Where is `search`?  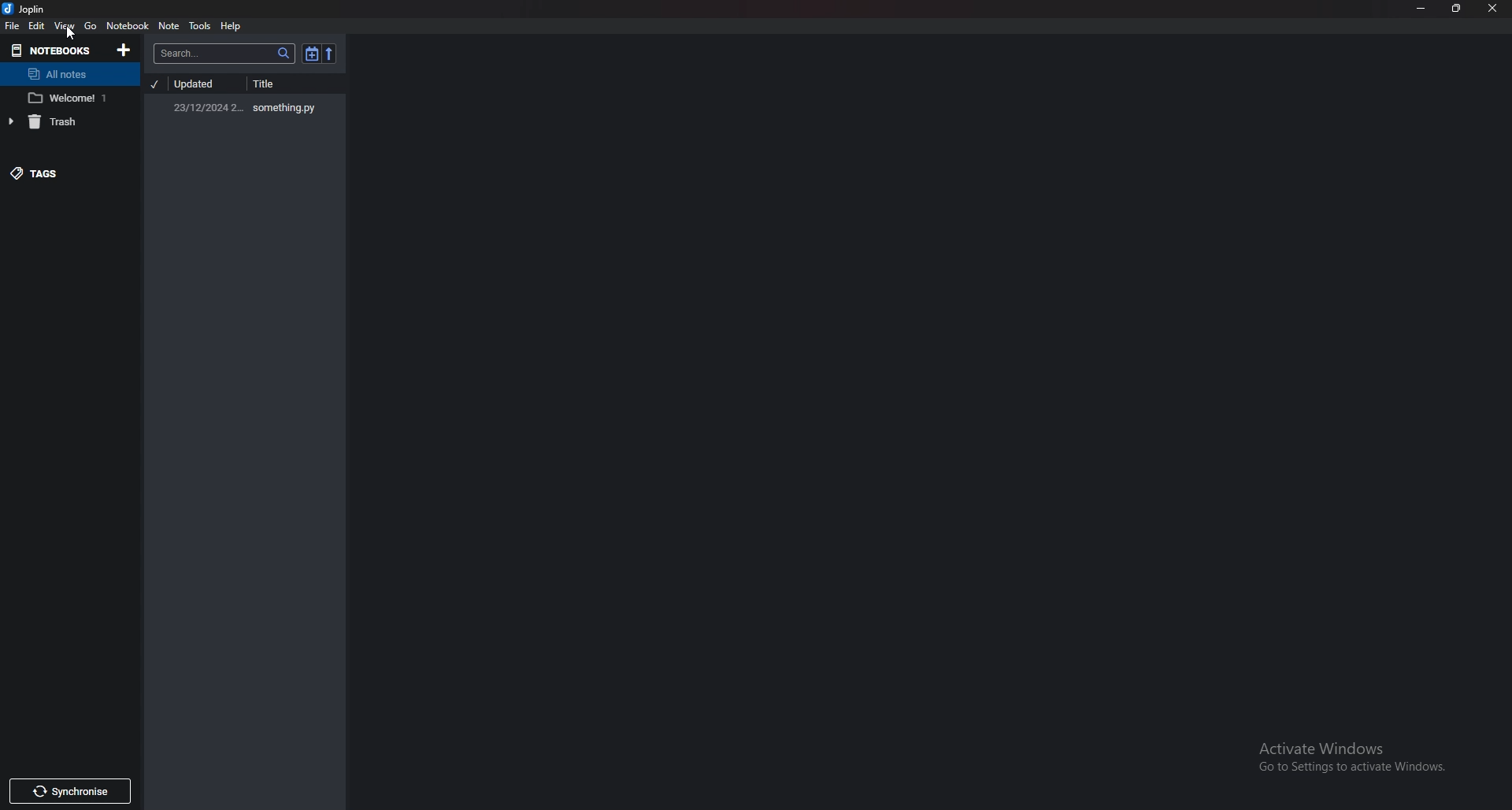 search is located at coordinates (224, 54).